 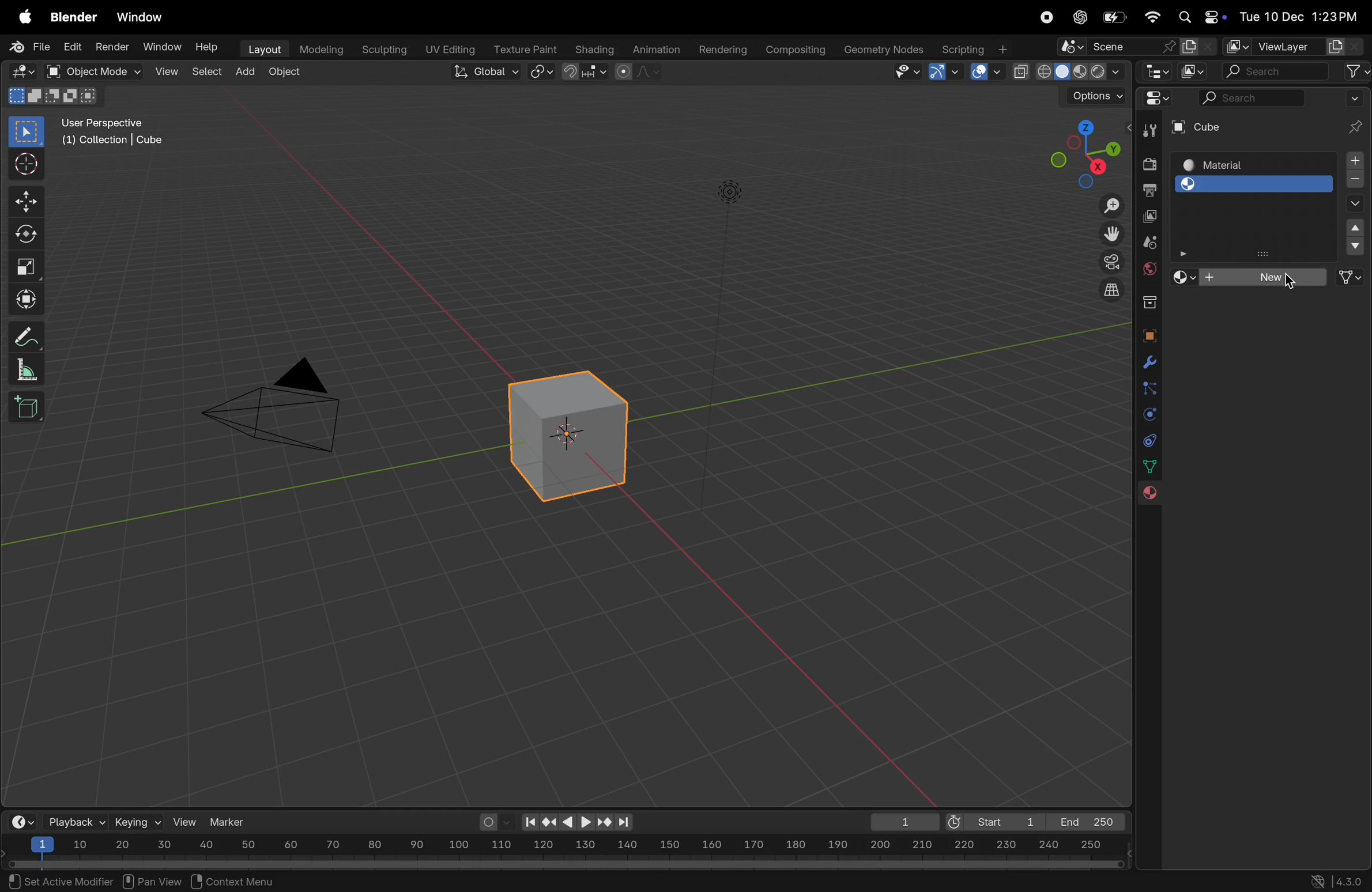 What do you see at coordinates (1146, 364) in the screenshot?
I see `modifiers` at bounding box center [1146, 364].